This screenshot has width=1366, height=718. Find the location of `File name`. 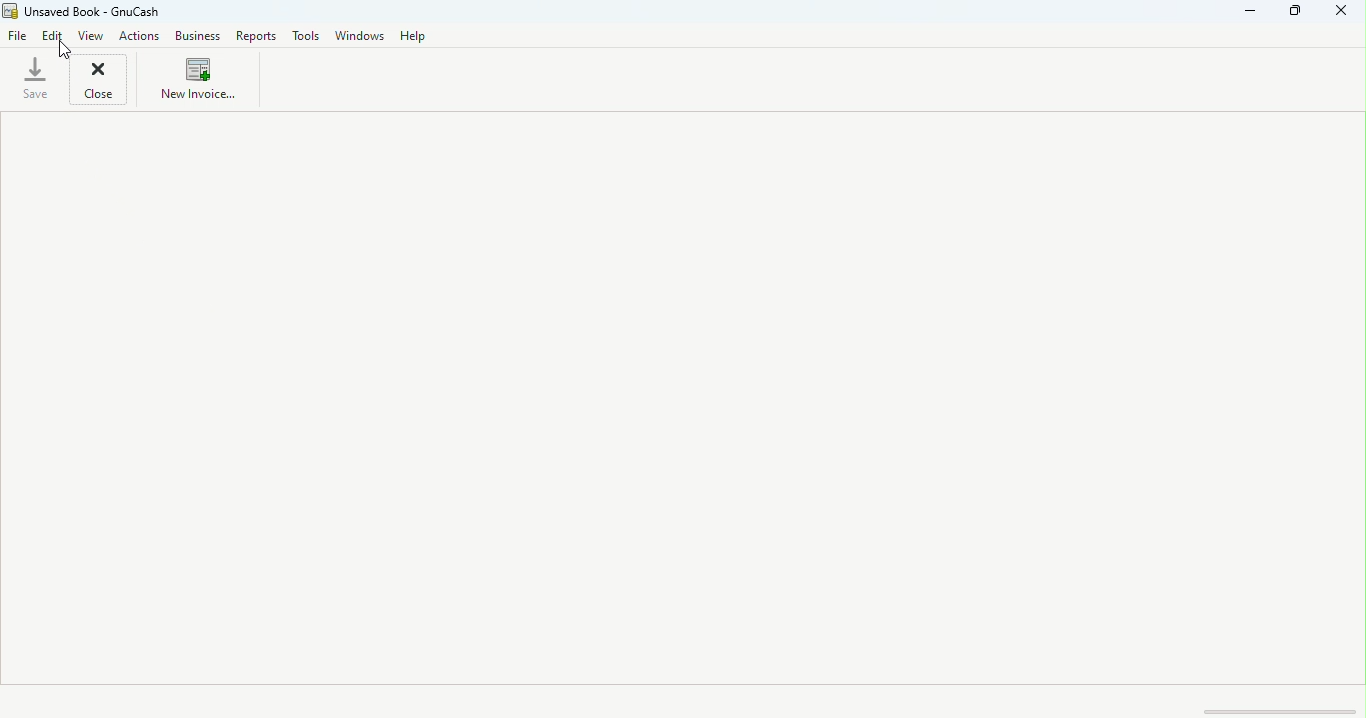

File name is located at coordinates (105, 11).